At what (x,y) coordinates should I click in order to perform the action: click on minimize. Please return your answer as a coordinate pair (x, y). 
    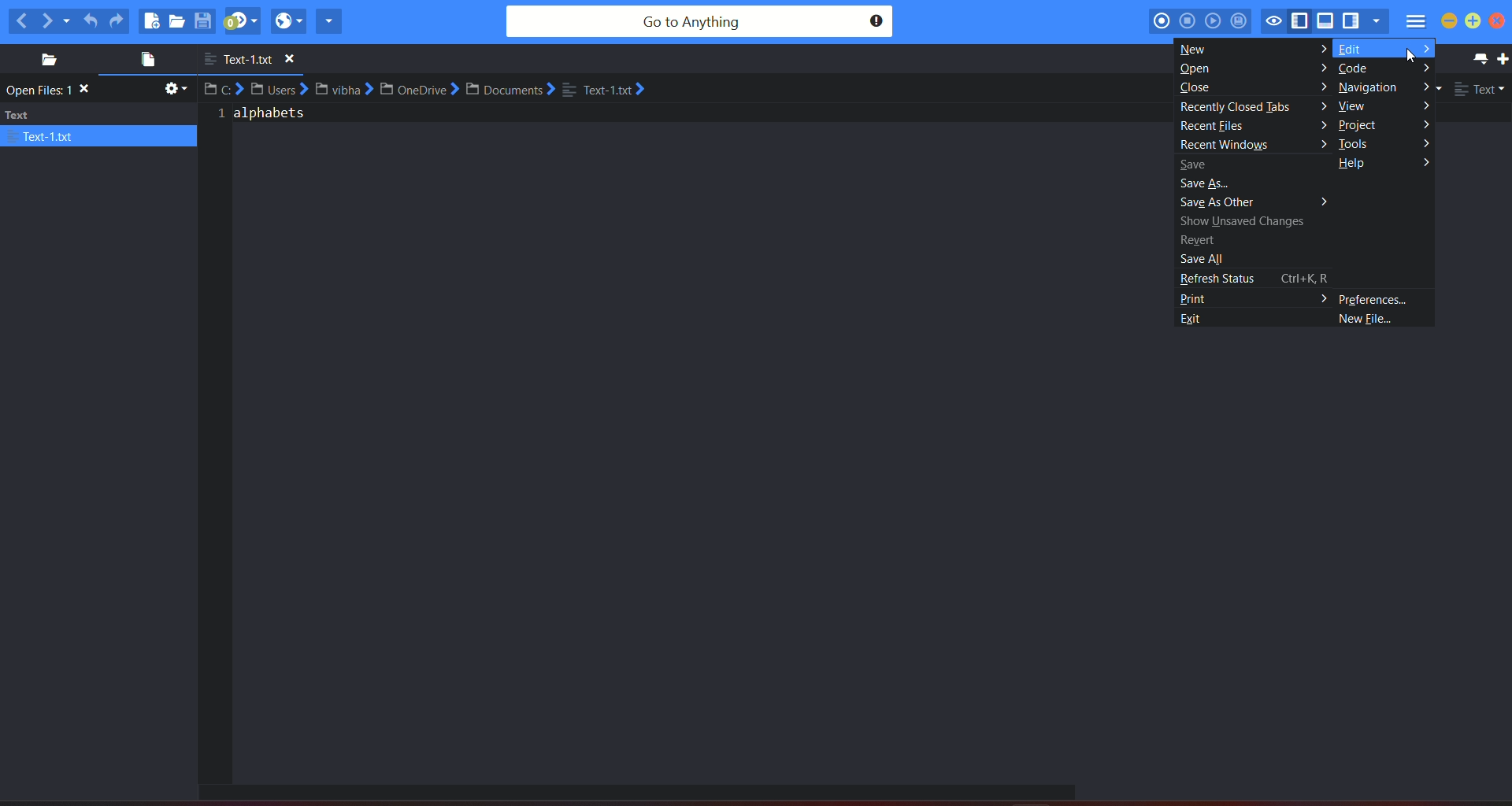
    Looking at the image, I should click on (1449, 21).